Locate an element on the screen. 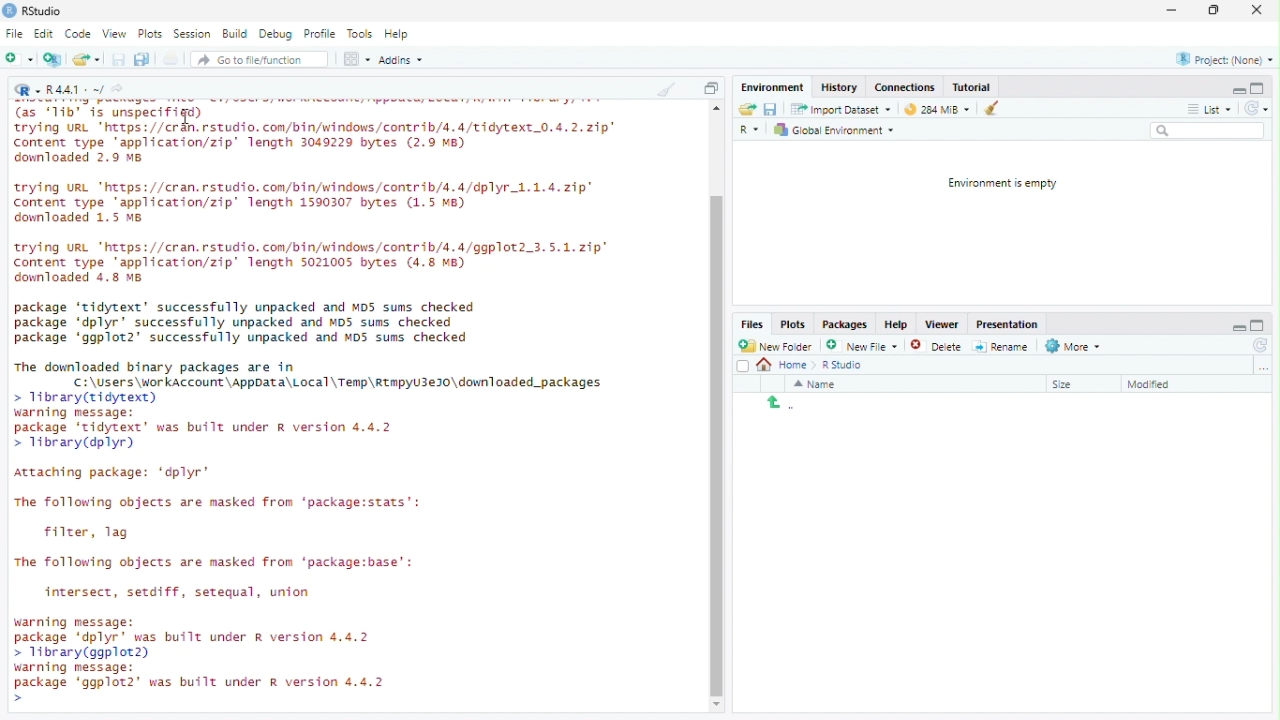 This screenshot has width=1280, height=720. Cursor is located at coordinates (188, 117).